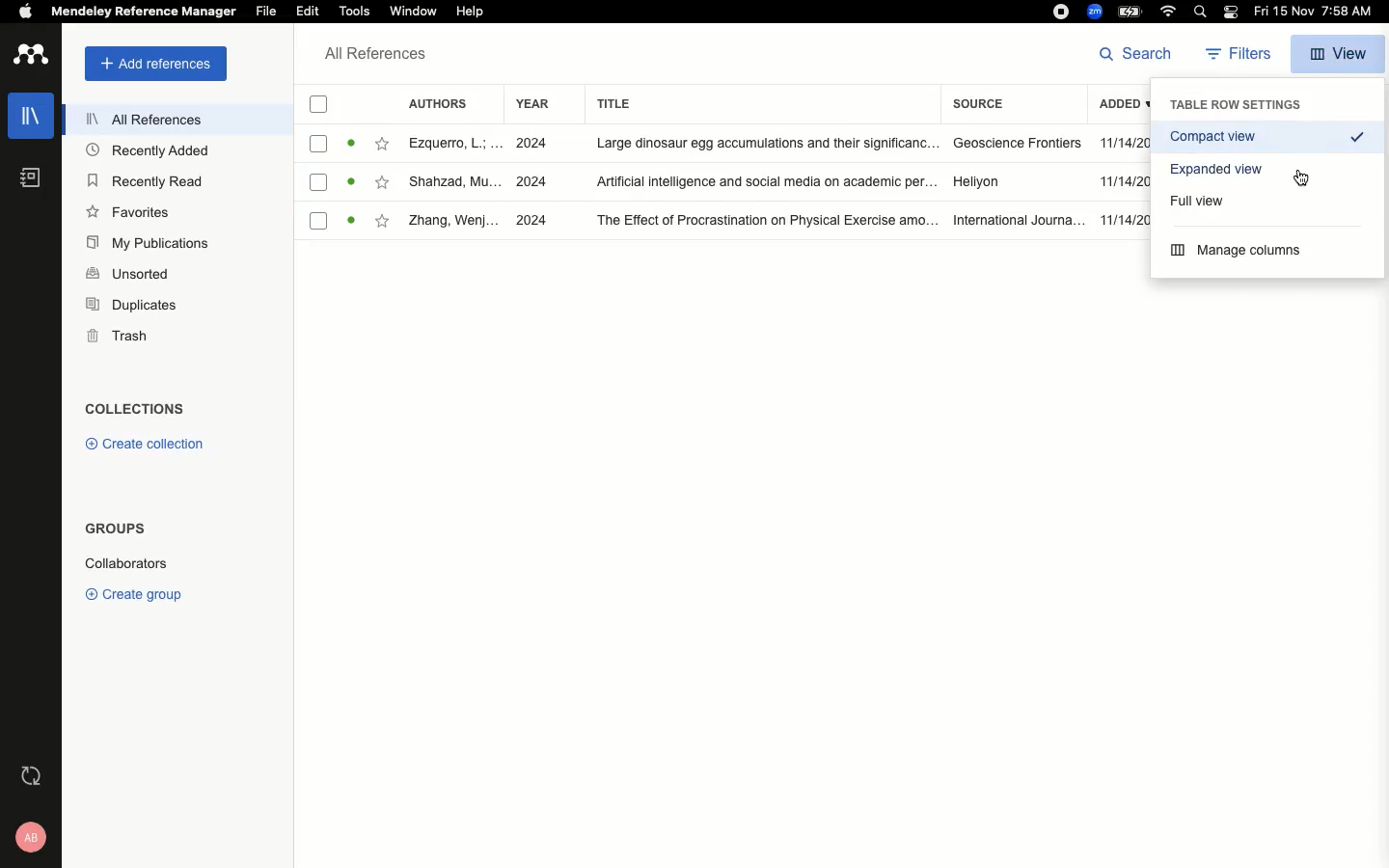 The width and height of the screenshot is (1389, 868). I want to click on Recording, so click(1060, 12).